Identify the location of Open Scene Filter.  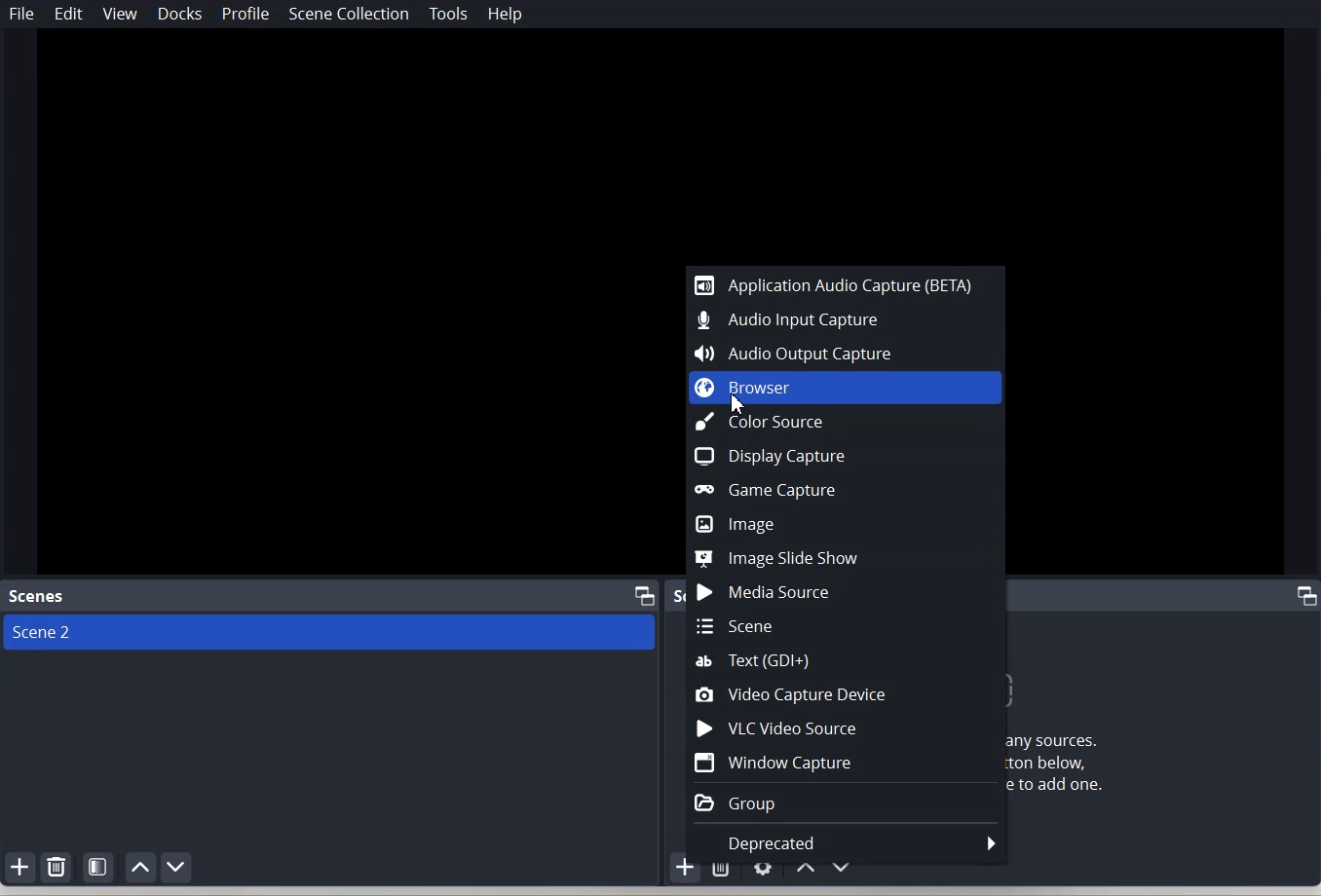
(99, 866).